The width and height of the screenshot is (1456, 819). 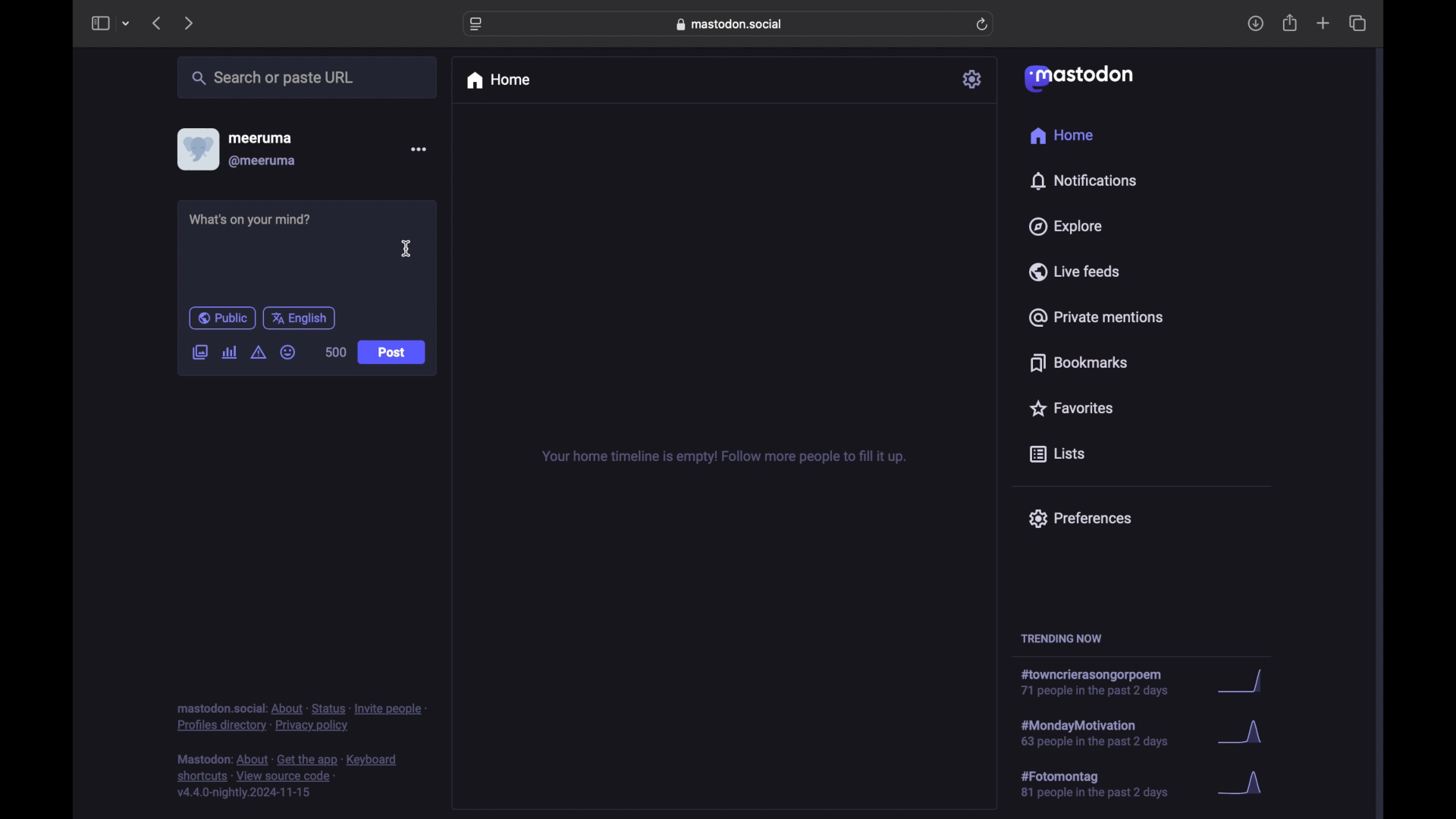 I want to click on cursor, so click(x=406, y=248).